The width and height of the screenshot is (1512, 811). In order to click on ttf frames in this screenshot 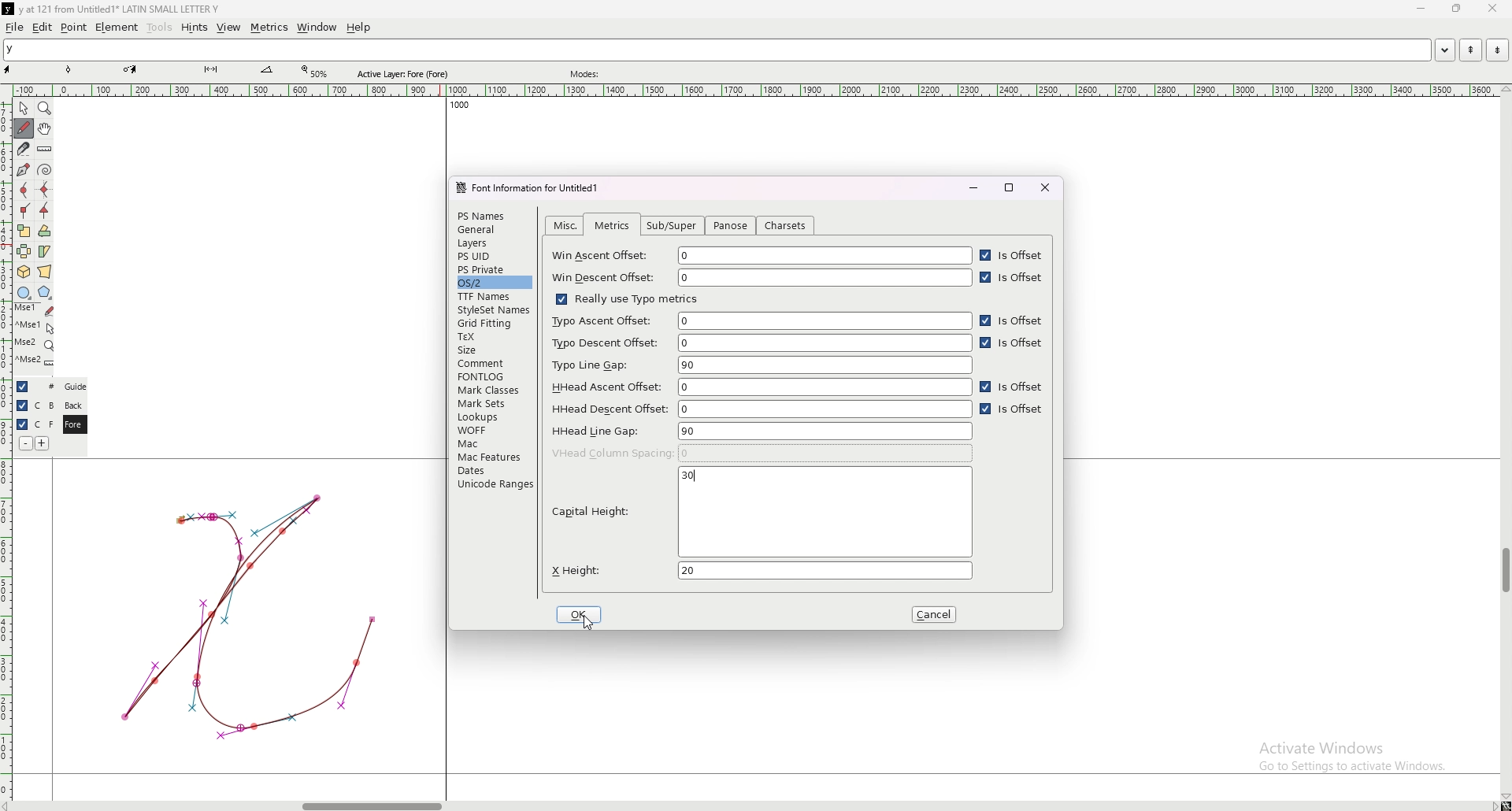, I will do `click(492, 296)`.